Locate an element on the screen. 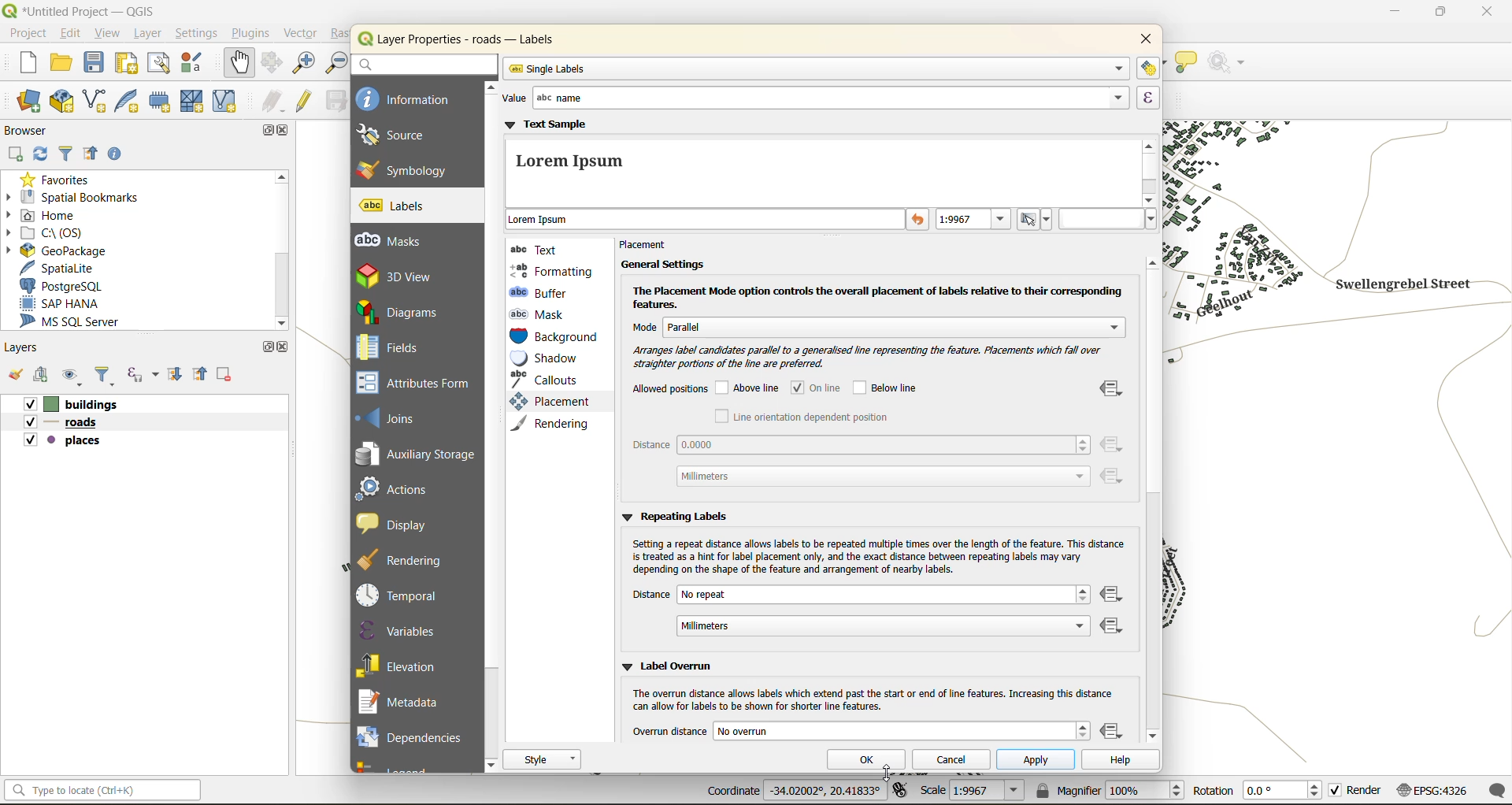  new virtual layer is located at coordinates (228, 102).